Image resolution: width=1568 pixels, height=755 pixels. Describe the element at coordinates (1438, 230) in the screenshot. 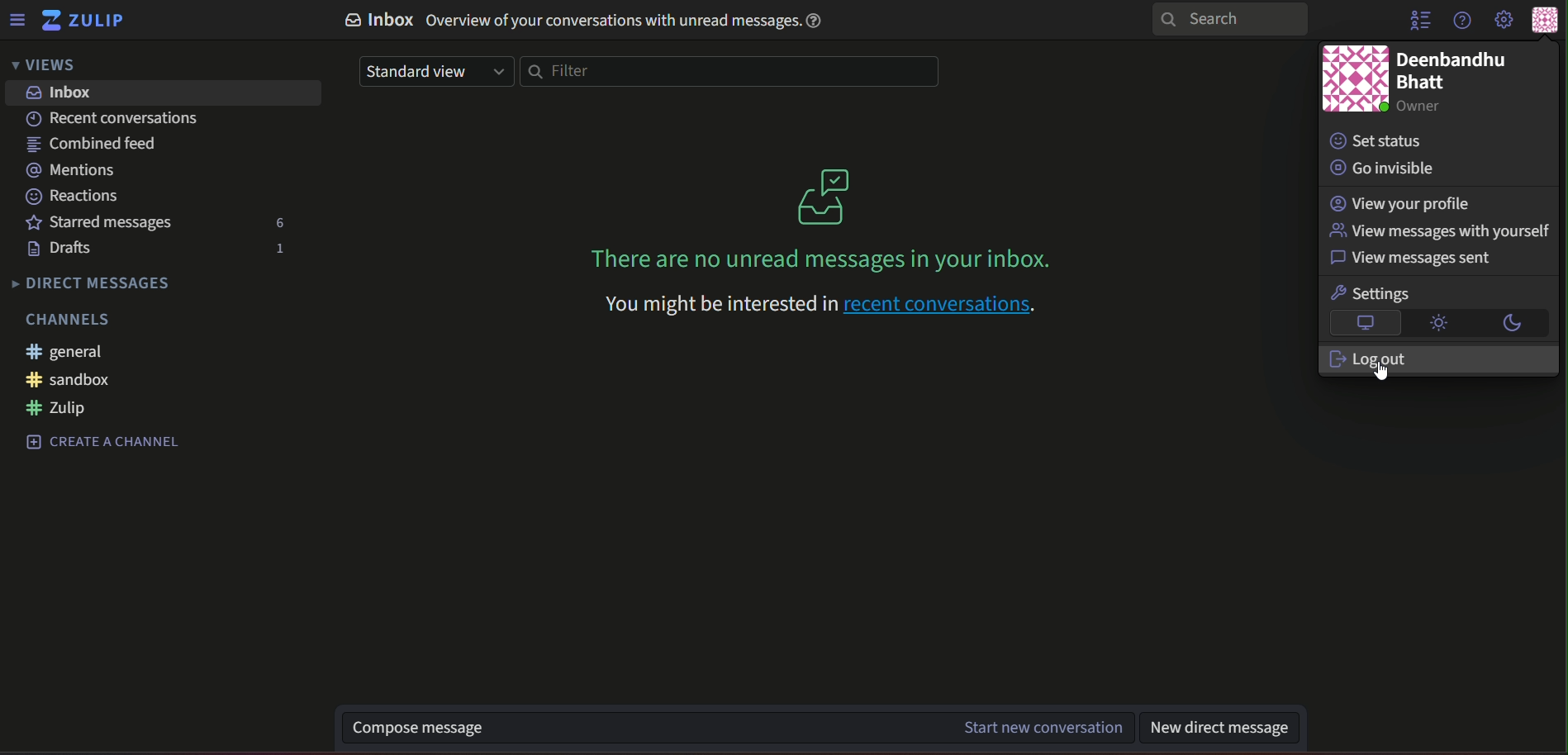

I see `text` at that location.